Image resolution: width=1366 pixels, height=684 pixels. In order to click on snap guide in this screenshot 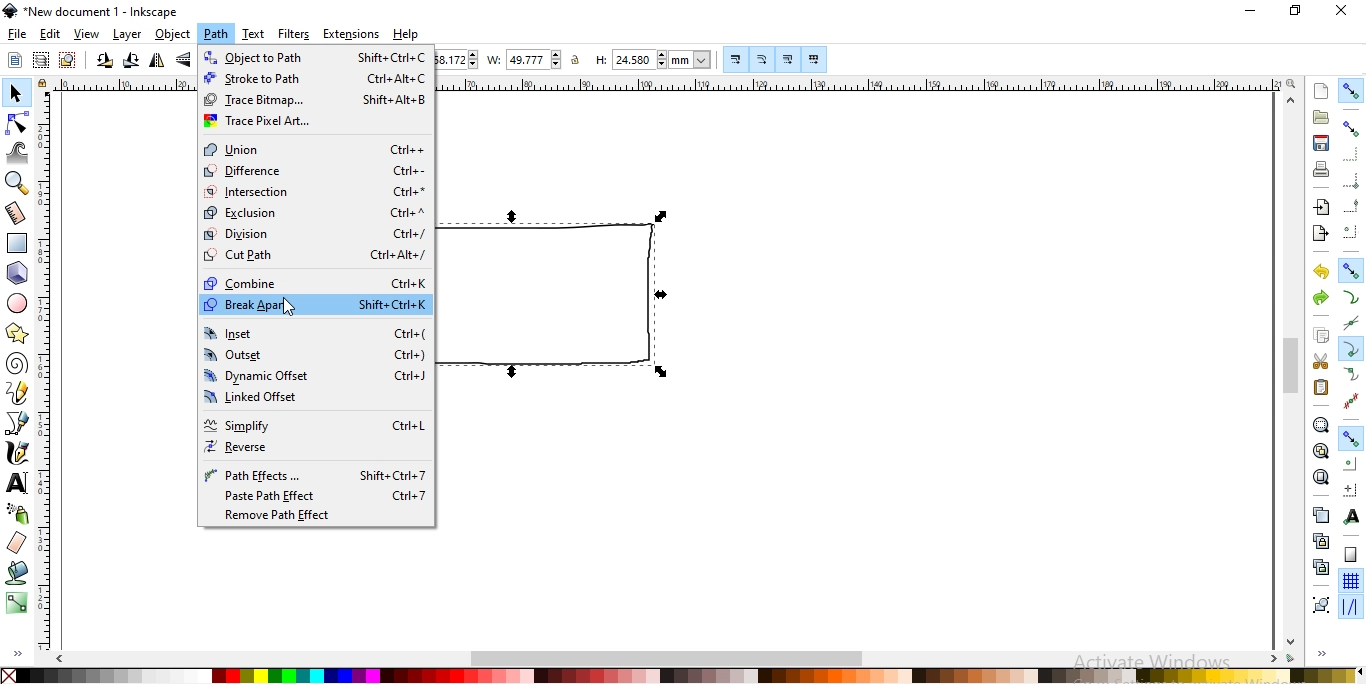, I will do `click(1353, 607)`.